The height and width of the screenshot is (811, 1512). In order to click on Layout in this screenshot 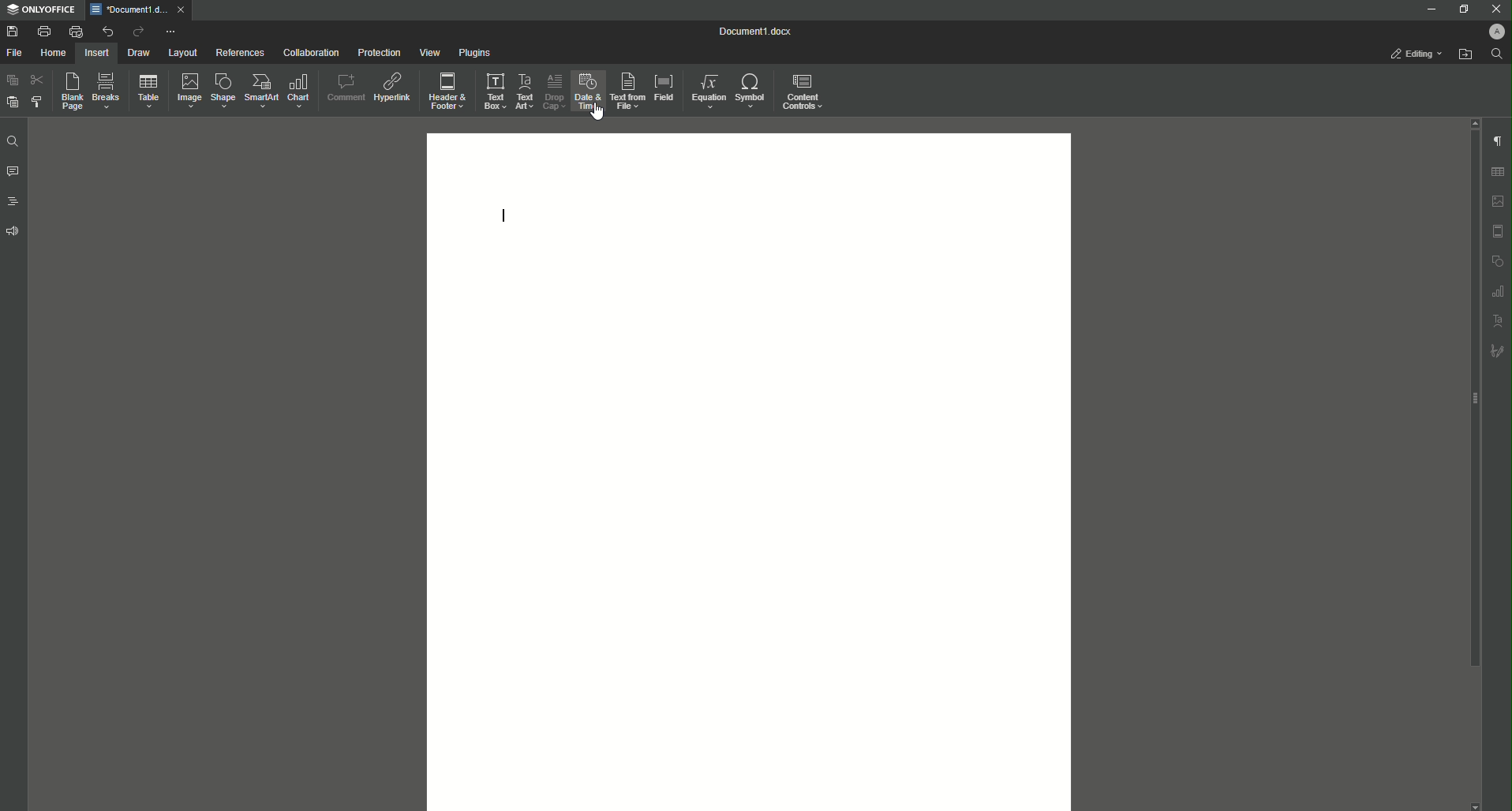, I will do `click(183, 53)`.